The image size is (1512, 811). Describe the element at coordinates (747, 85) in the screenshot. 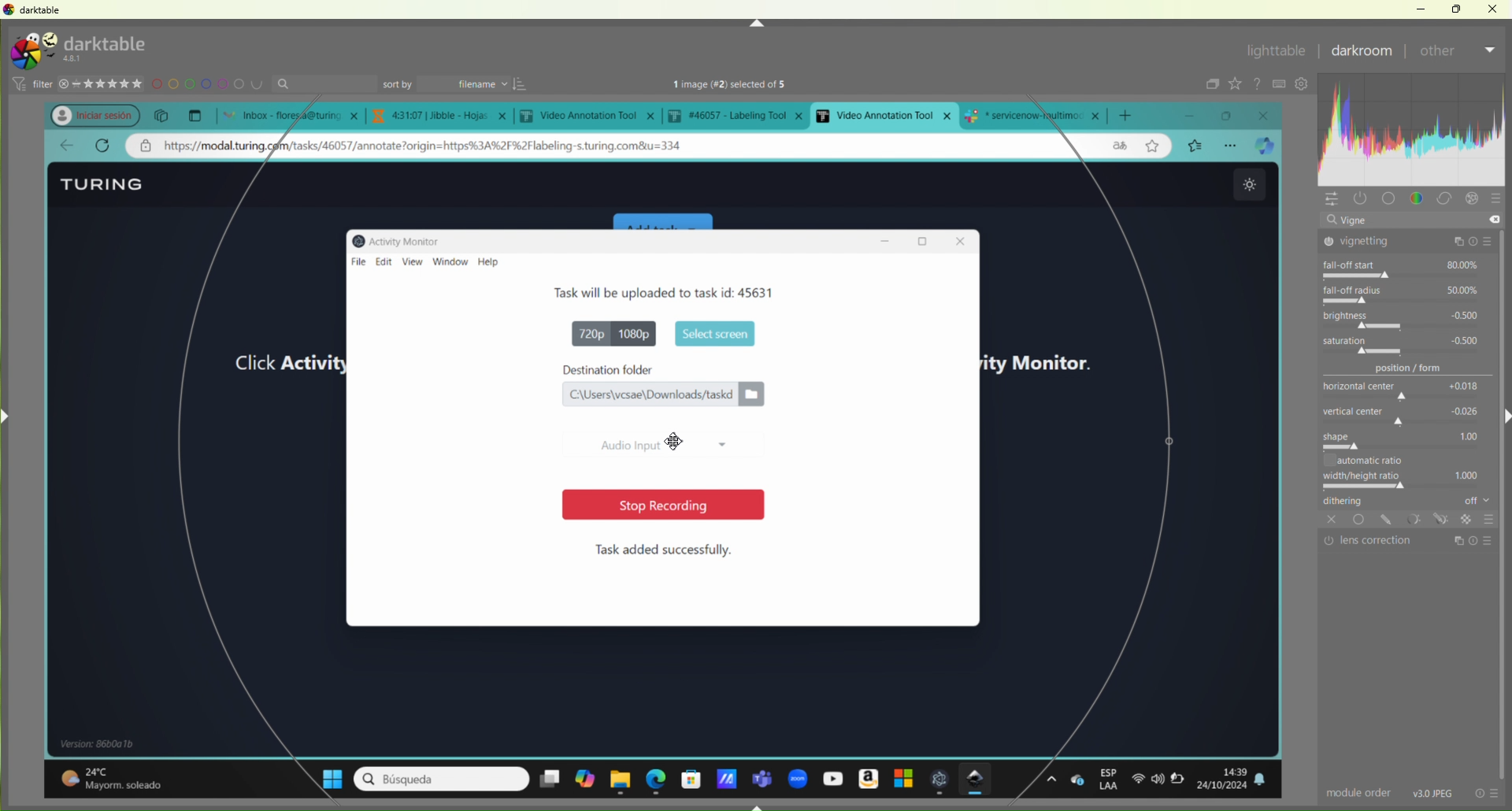

I see `text` at that location.